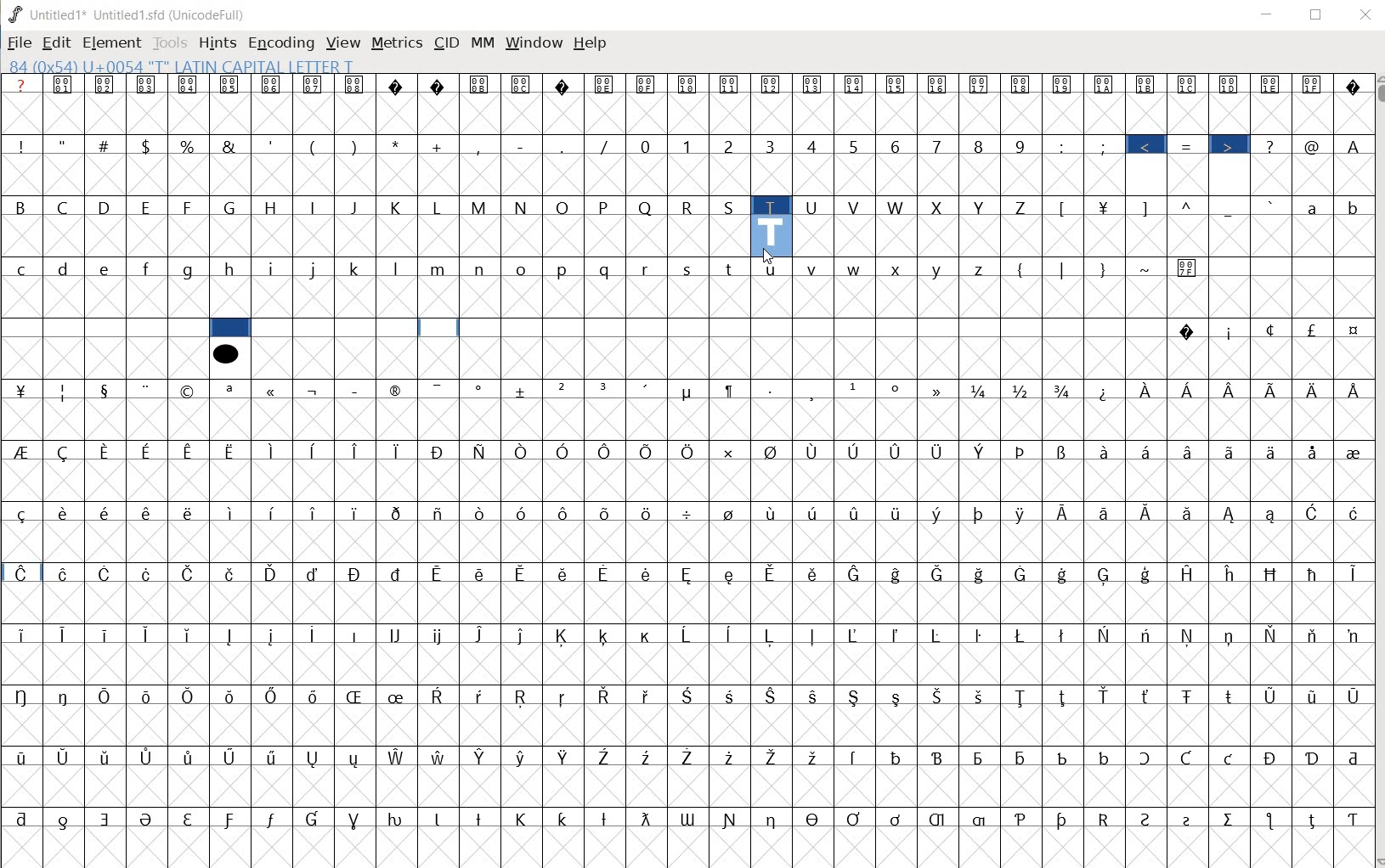  What do you see at coordinates (565, 757) in the screenshot?
I see `Symbol` at bounding box center [565, 757].